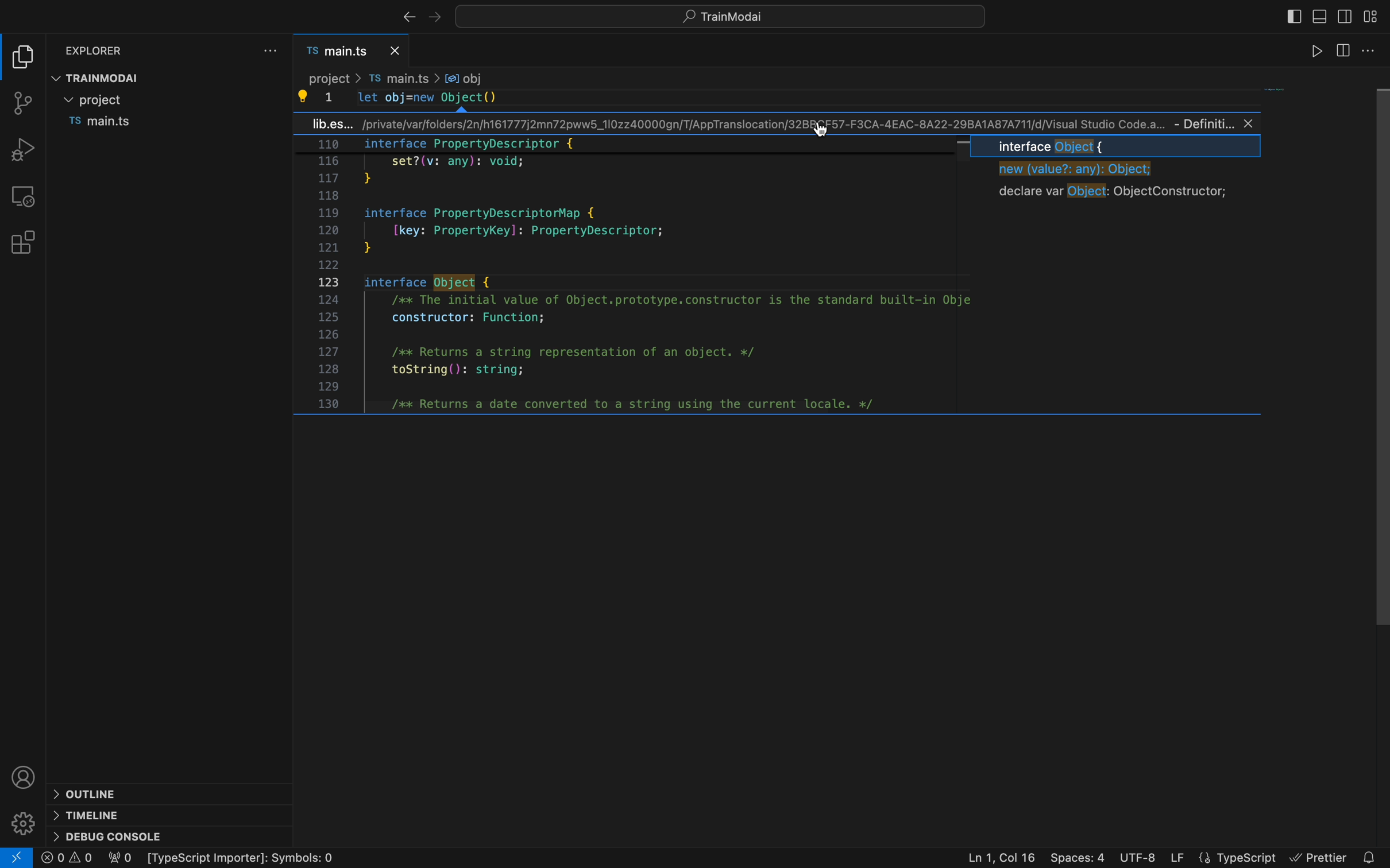 This screenshot has width=1390, height=868. What do you see at coordinates (1239, 856) in the screenshot?
I see `Typescript` at bounding box center [1239, 856].